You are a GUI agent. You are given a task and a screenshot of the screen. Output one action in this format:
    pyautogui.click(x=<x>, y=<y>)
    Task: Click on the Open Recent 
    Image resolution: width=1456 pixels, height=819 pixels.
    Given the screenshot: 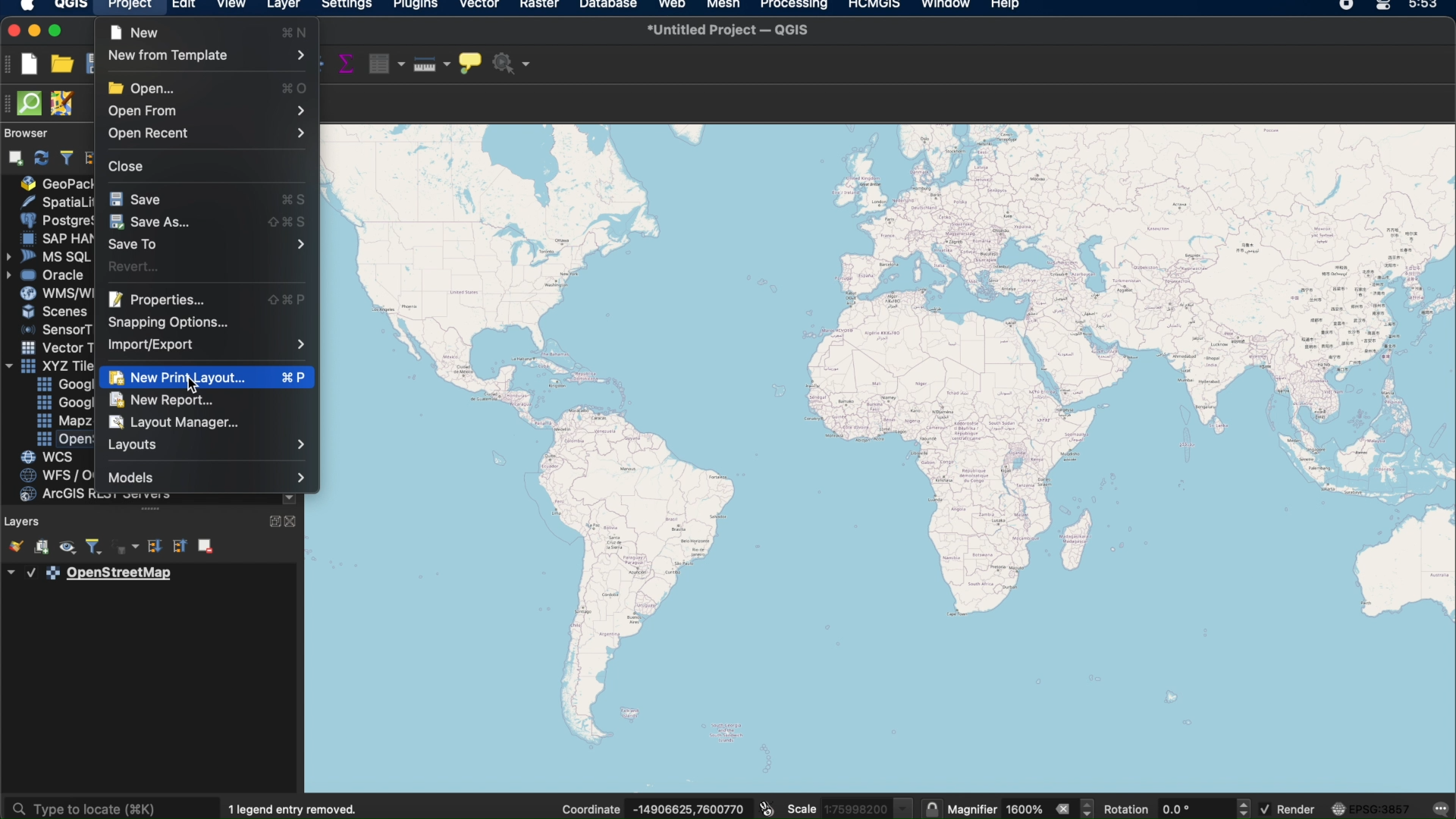 What is the action you would take?
    pyautogui.click(x=206, y=132)
    